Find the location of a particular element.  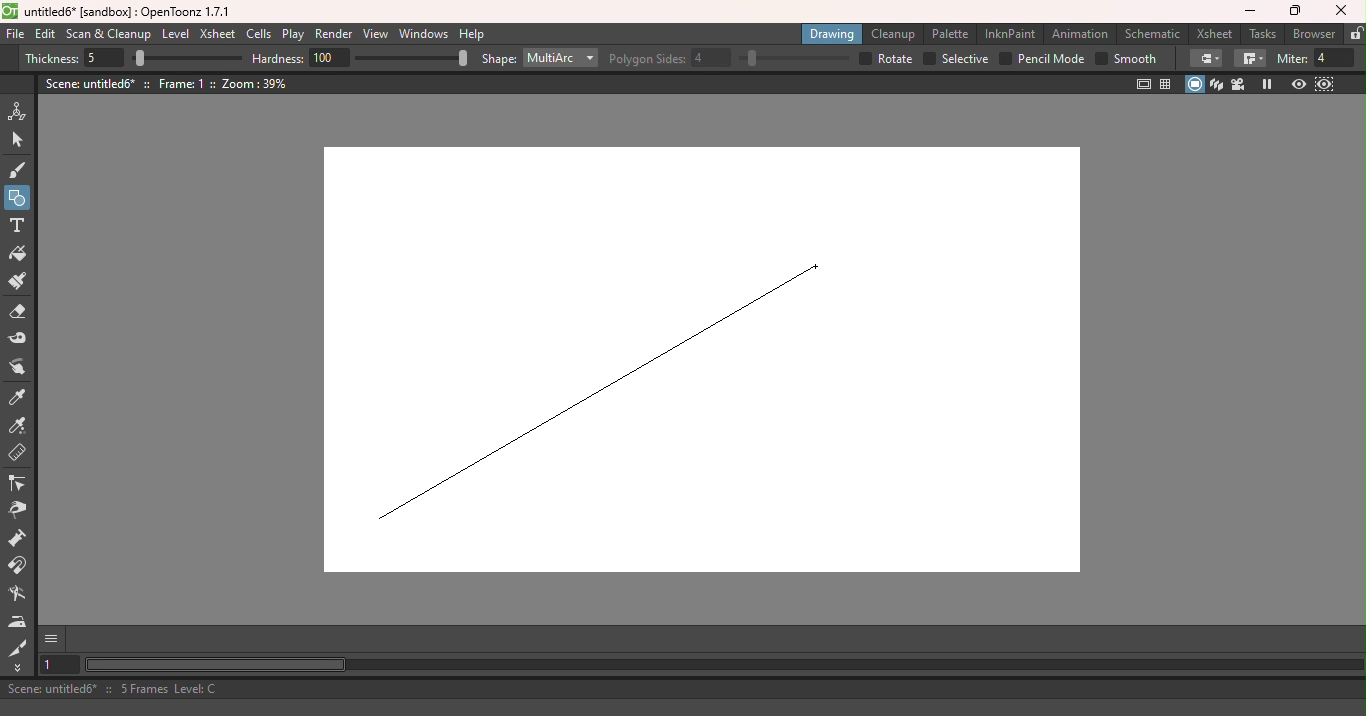

Hardness bar is located at coordinates (412, 58).